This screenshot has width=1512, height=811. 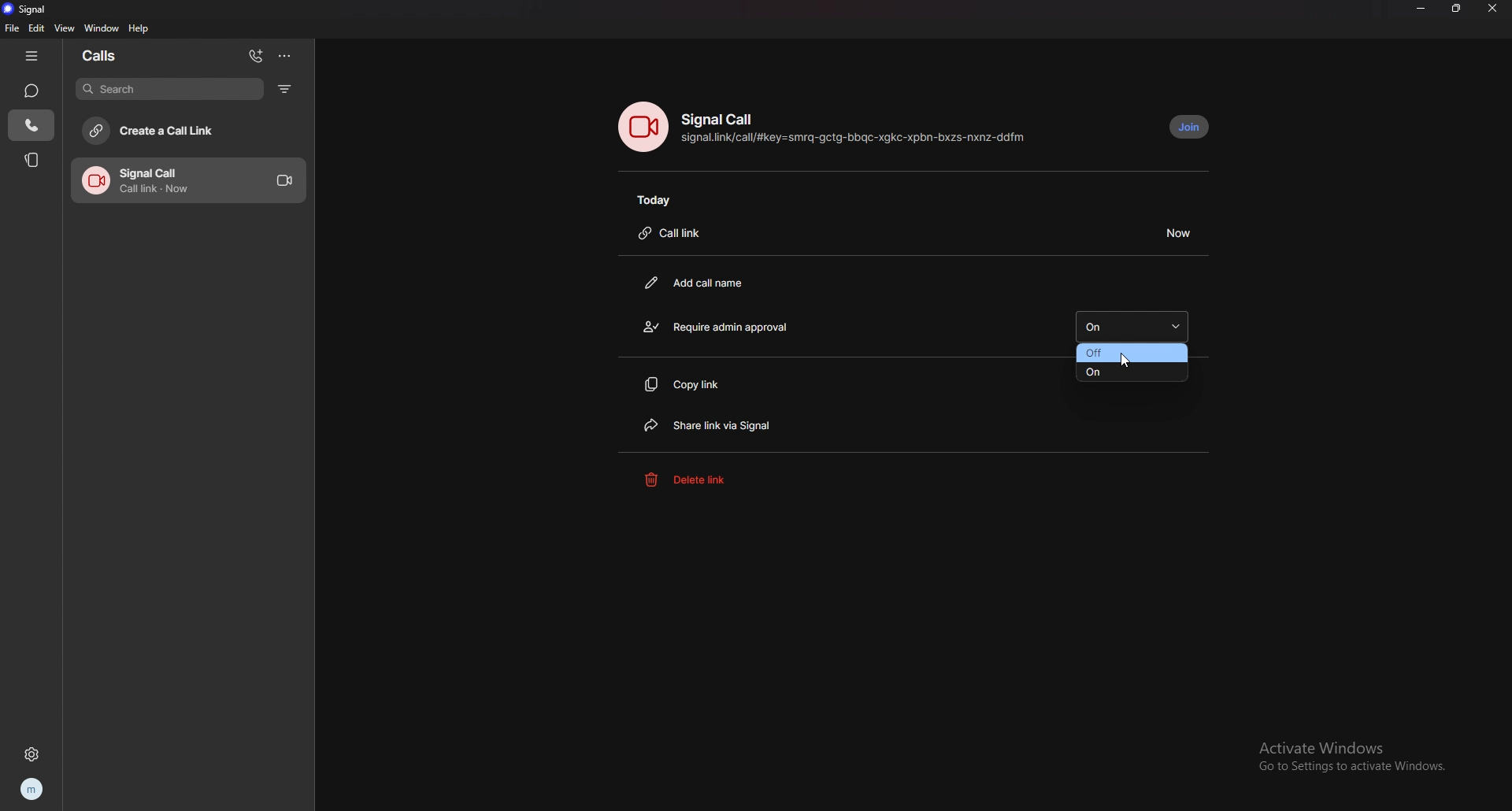 I want to click on profile, so click(x=33, y=789).